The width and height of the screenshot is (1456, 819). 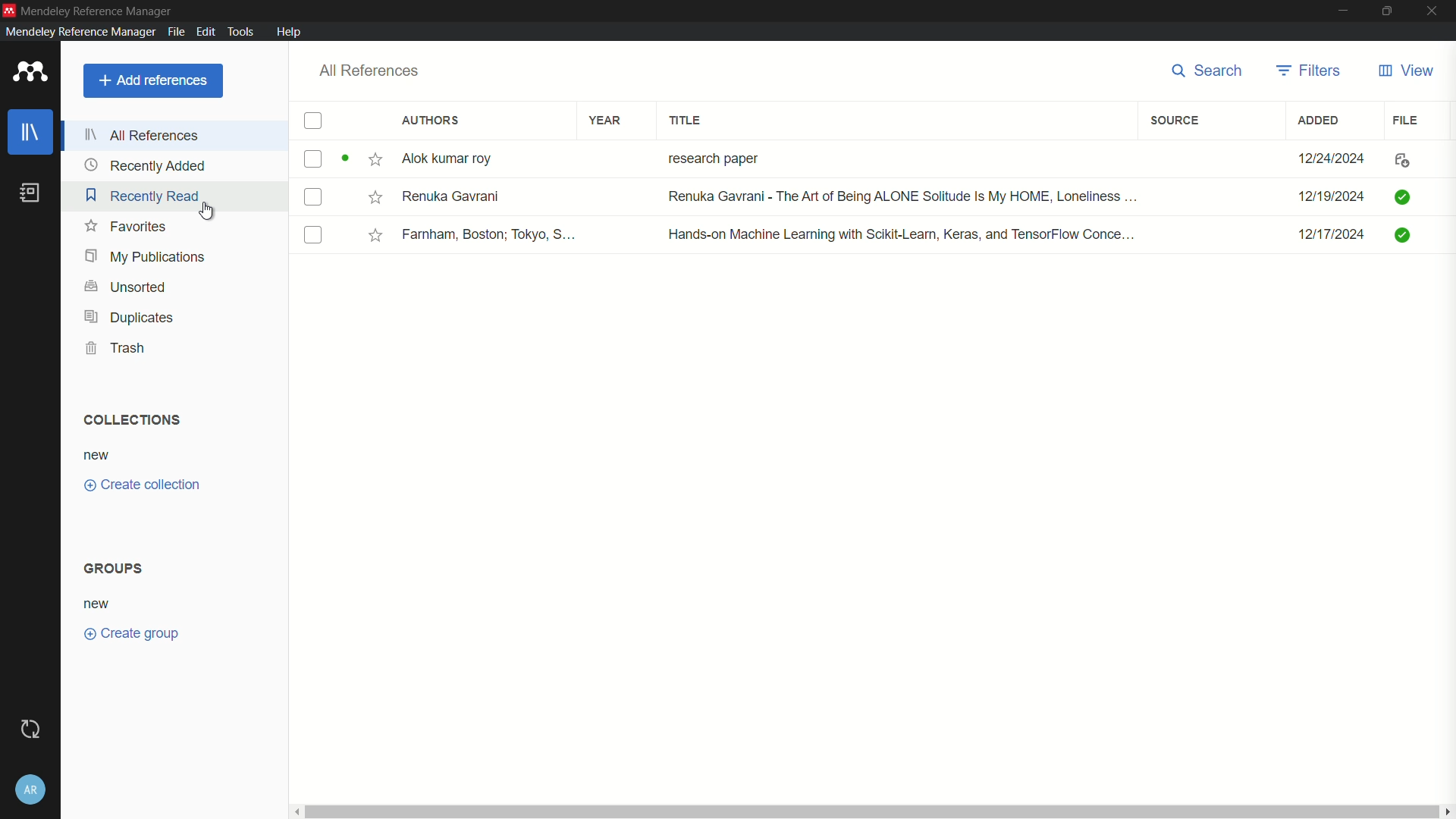 What do you see at coordinates (431, 120) in the screenshot?
I see `authors` at bounding box center [431, 120].